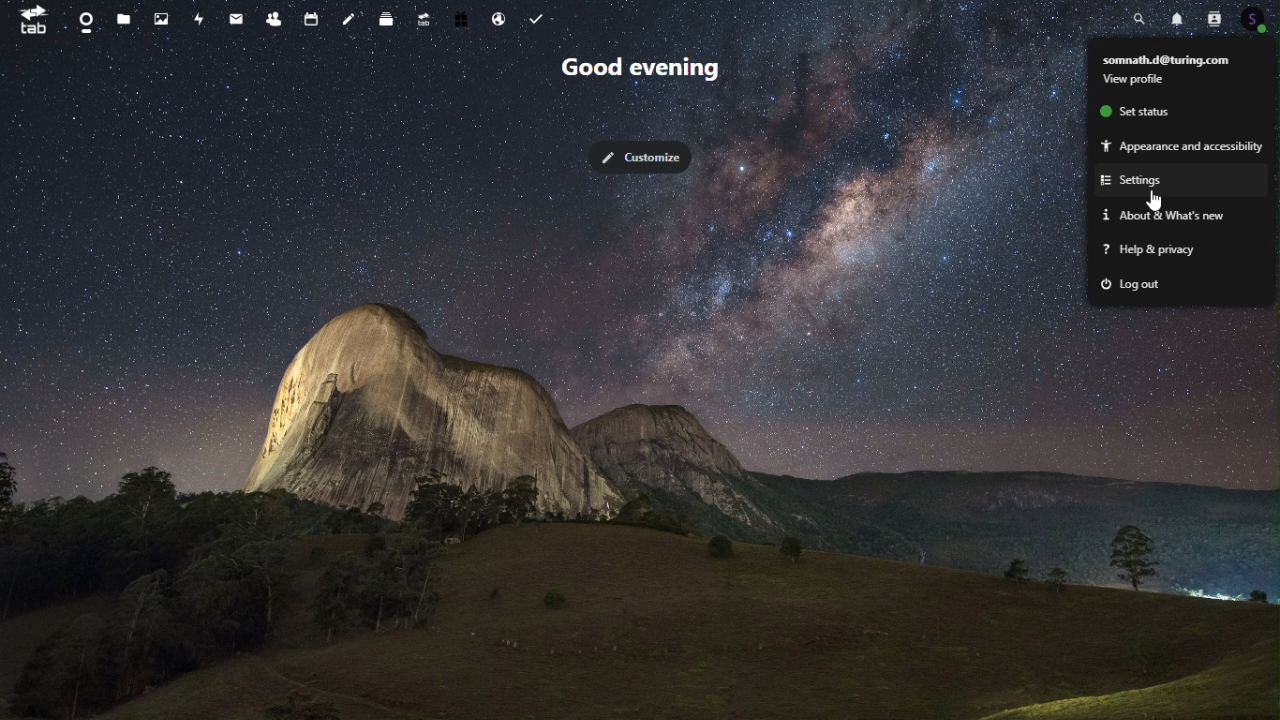 This screenshot has height=720, width=1280. I want to click on files, so click(126, 18).